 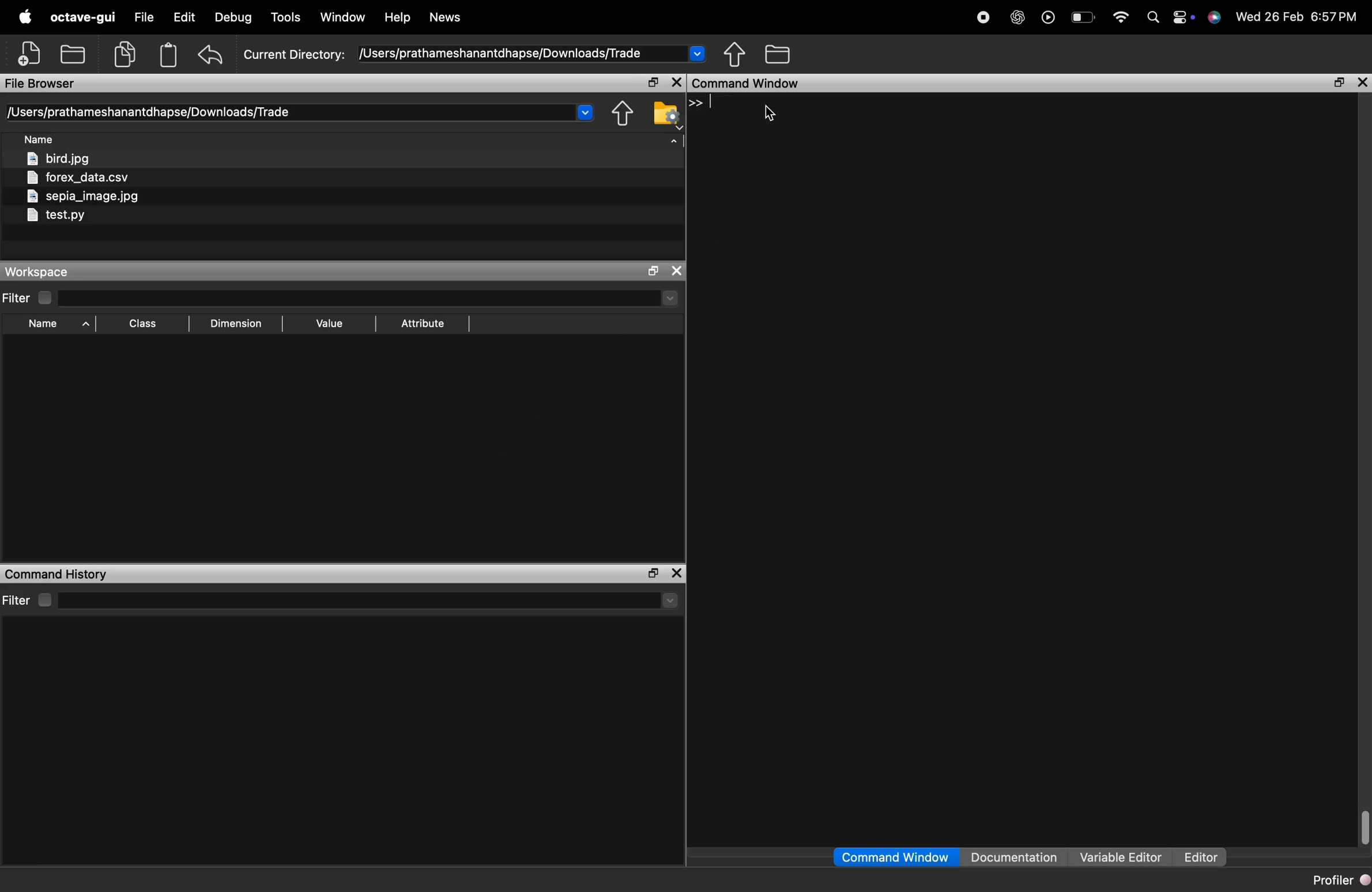 I want to click on sort by class, so click(x=145, y=324).